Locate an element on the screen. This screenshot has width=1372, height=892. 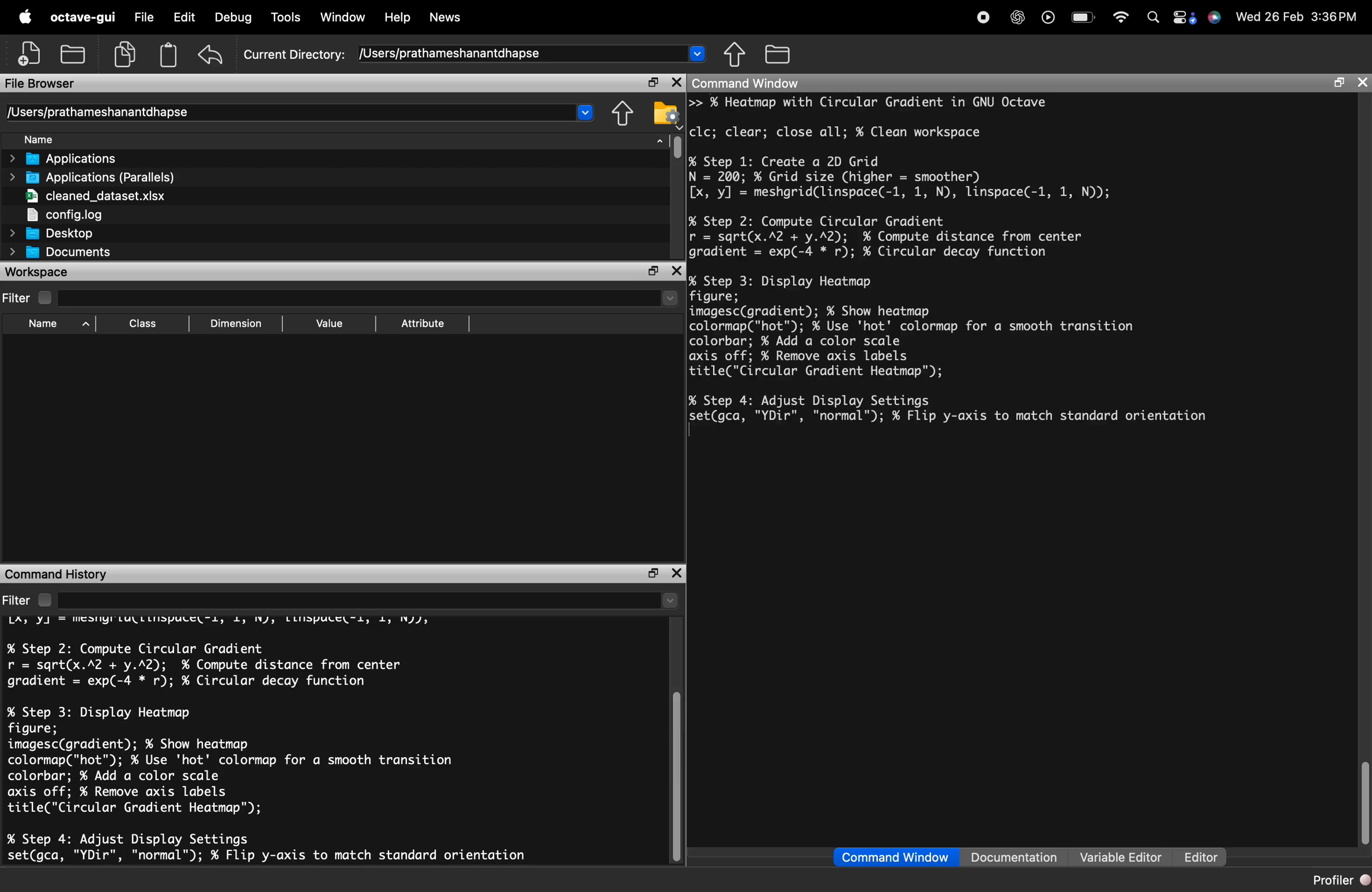
/Users/prathameshanantdhapse is located at coordinates (297, 112).